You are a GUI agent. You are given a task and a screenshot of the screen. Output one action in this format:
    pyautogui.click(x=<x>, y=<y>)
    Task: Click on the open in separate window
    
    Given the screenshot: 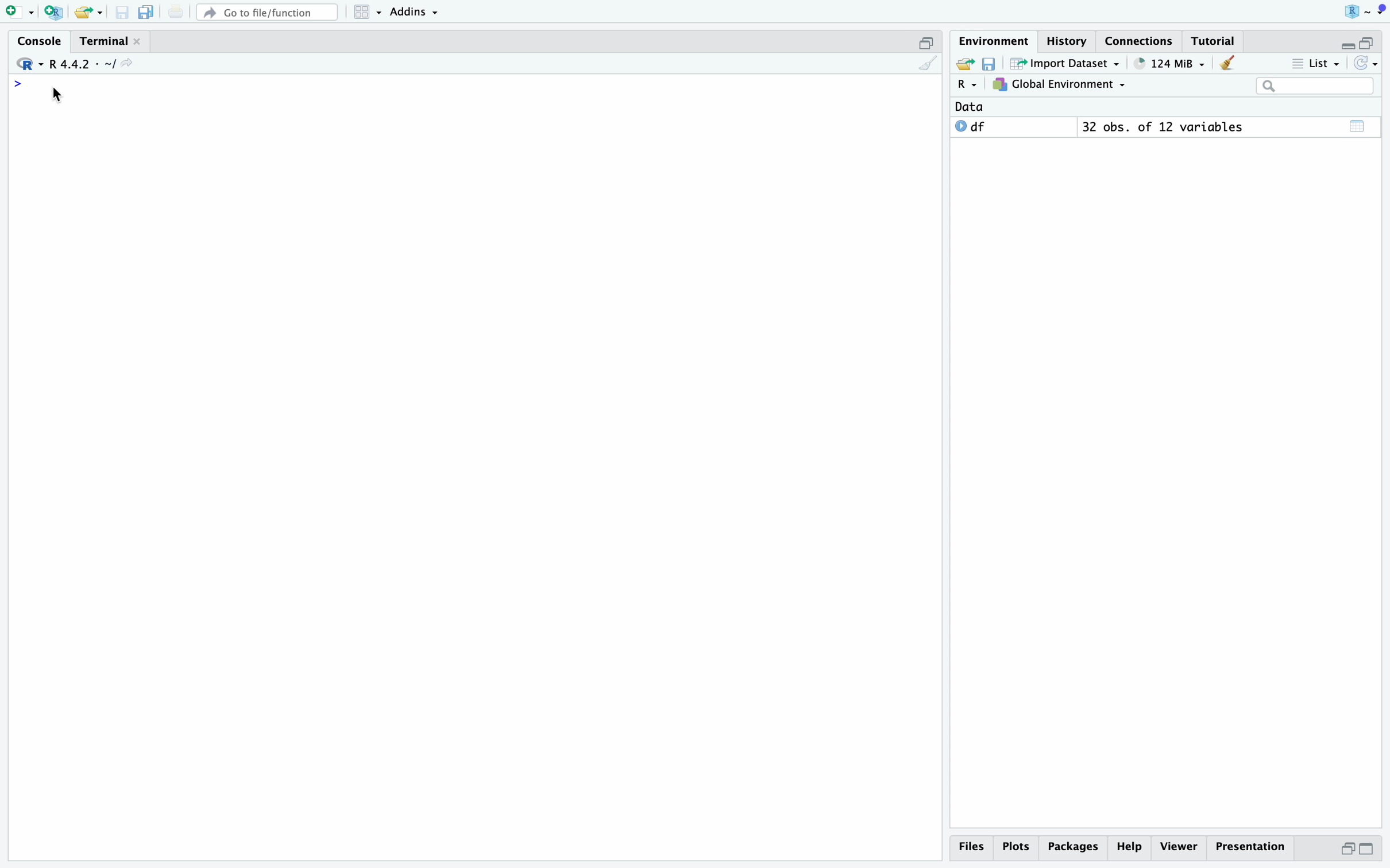 What is the action you would take?
    pyautogui.click(x=1366, y=42)
    